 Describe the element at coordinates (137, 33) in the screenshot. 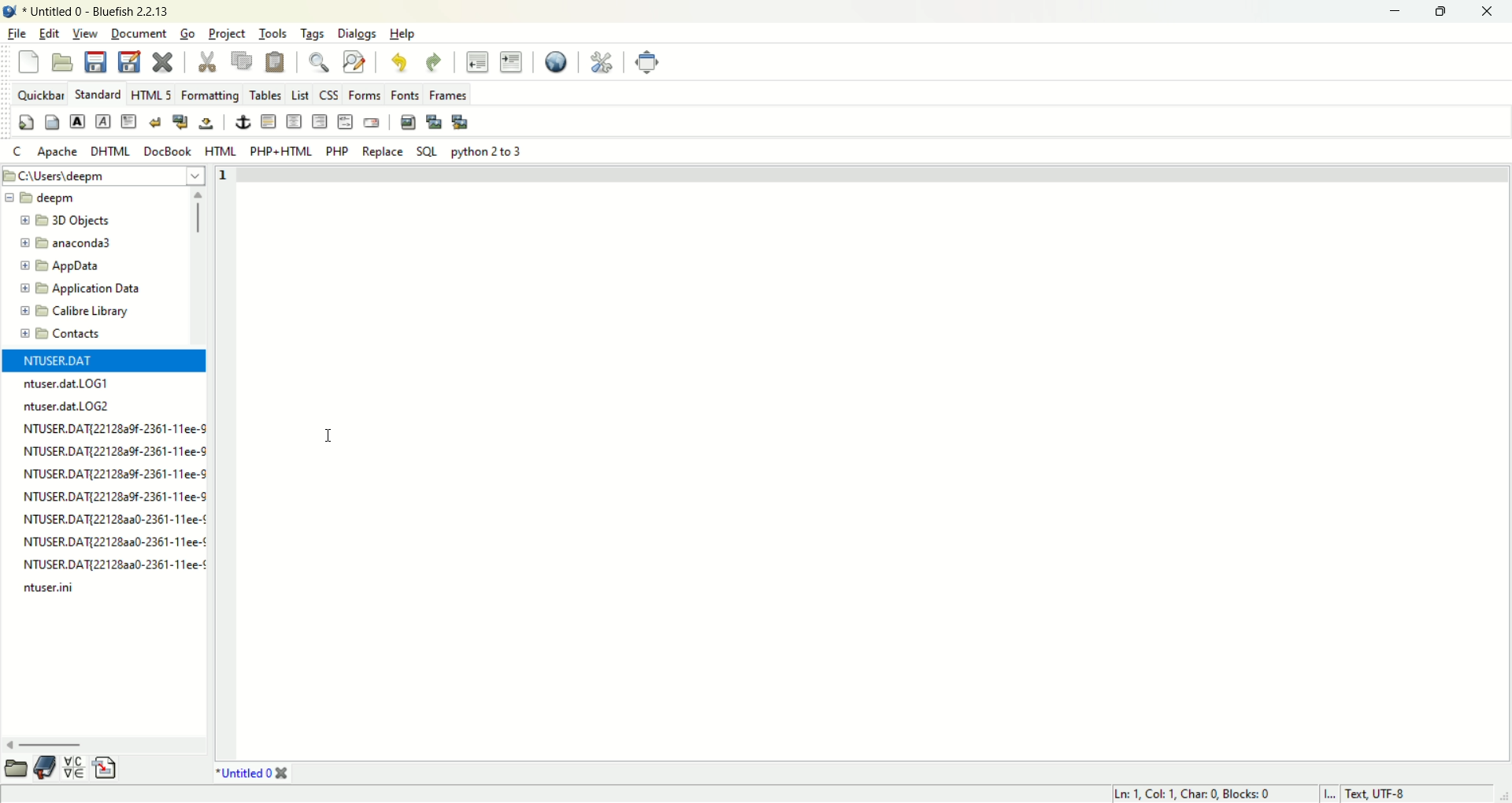

I see `document` at that location.